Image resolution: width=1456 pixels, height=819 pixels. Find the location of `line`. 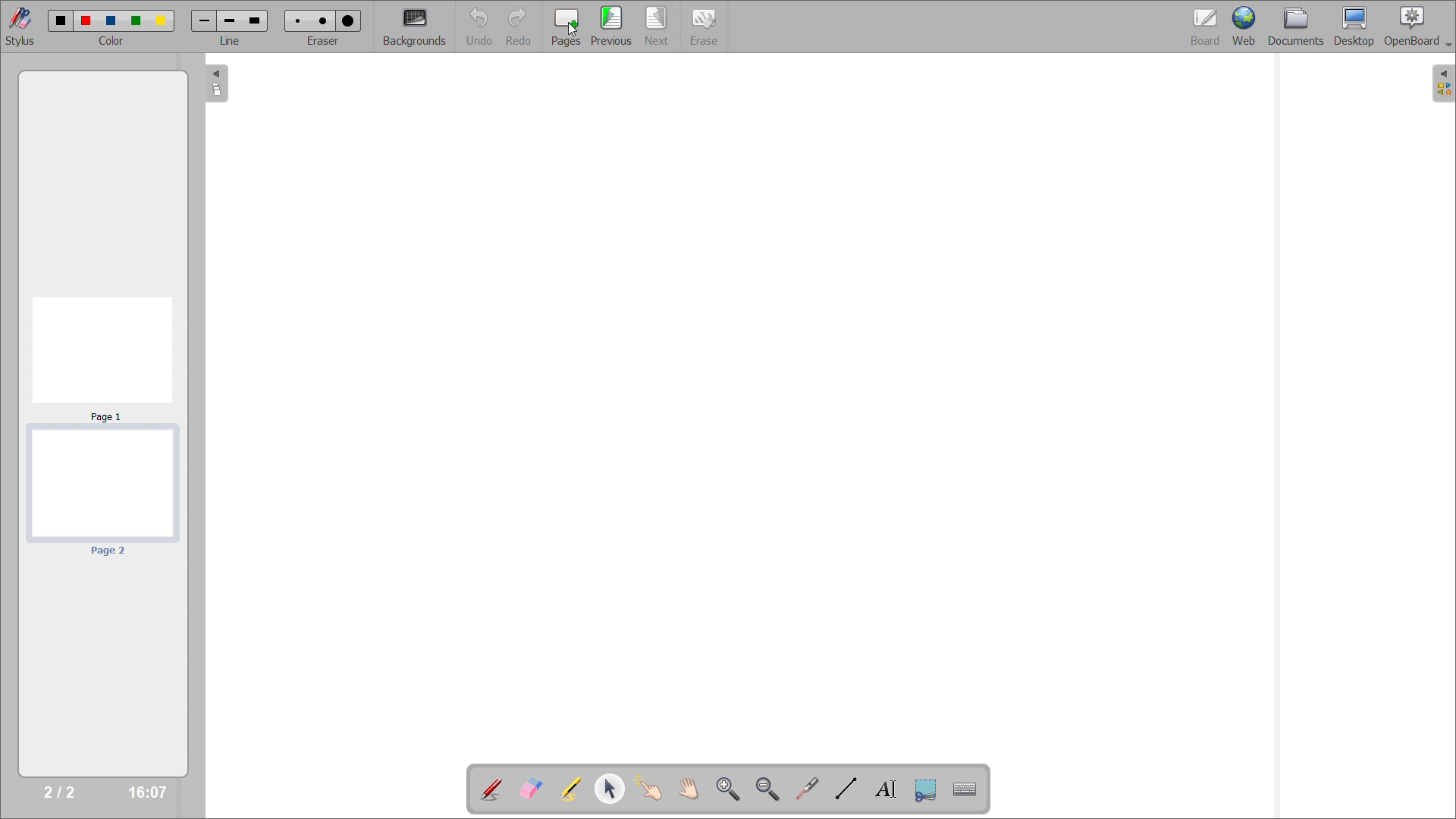

line is located at coordinates (230, 27).